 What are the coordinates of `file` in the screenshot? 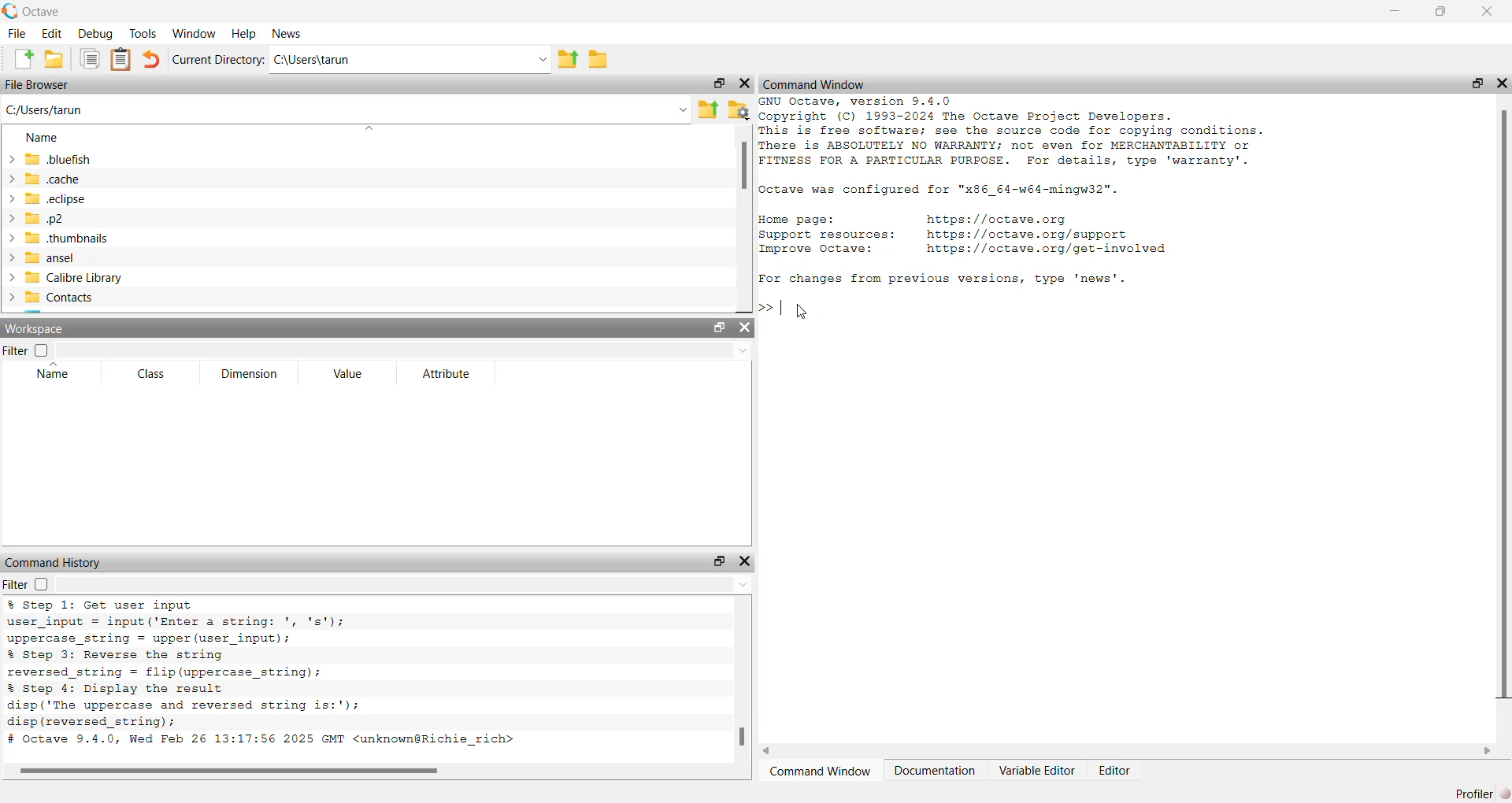 It's located at (16, 33).